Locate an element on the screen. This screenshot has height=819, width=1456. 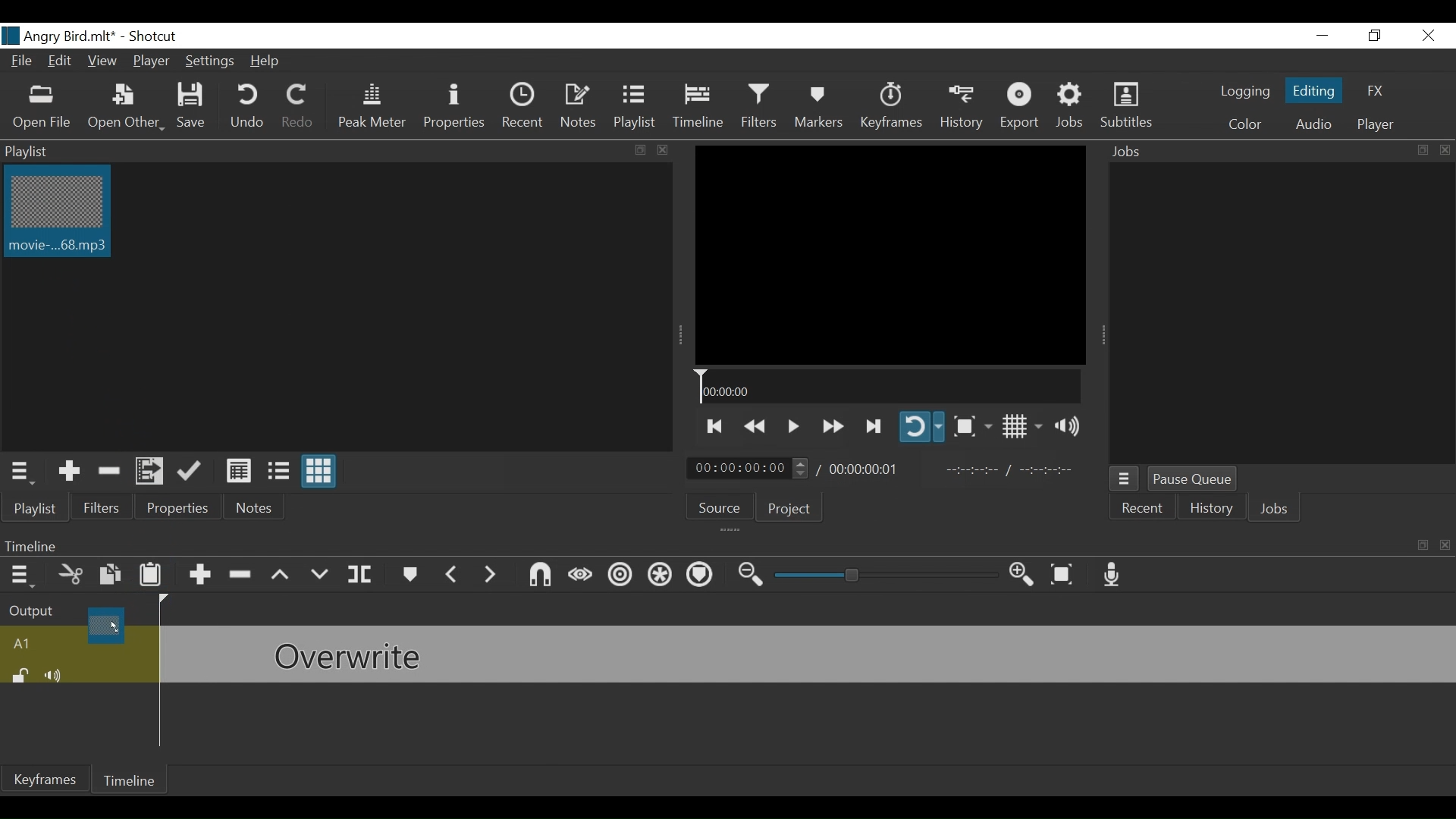
close is located at coordinates (1442, 149).